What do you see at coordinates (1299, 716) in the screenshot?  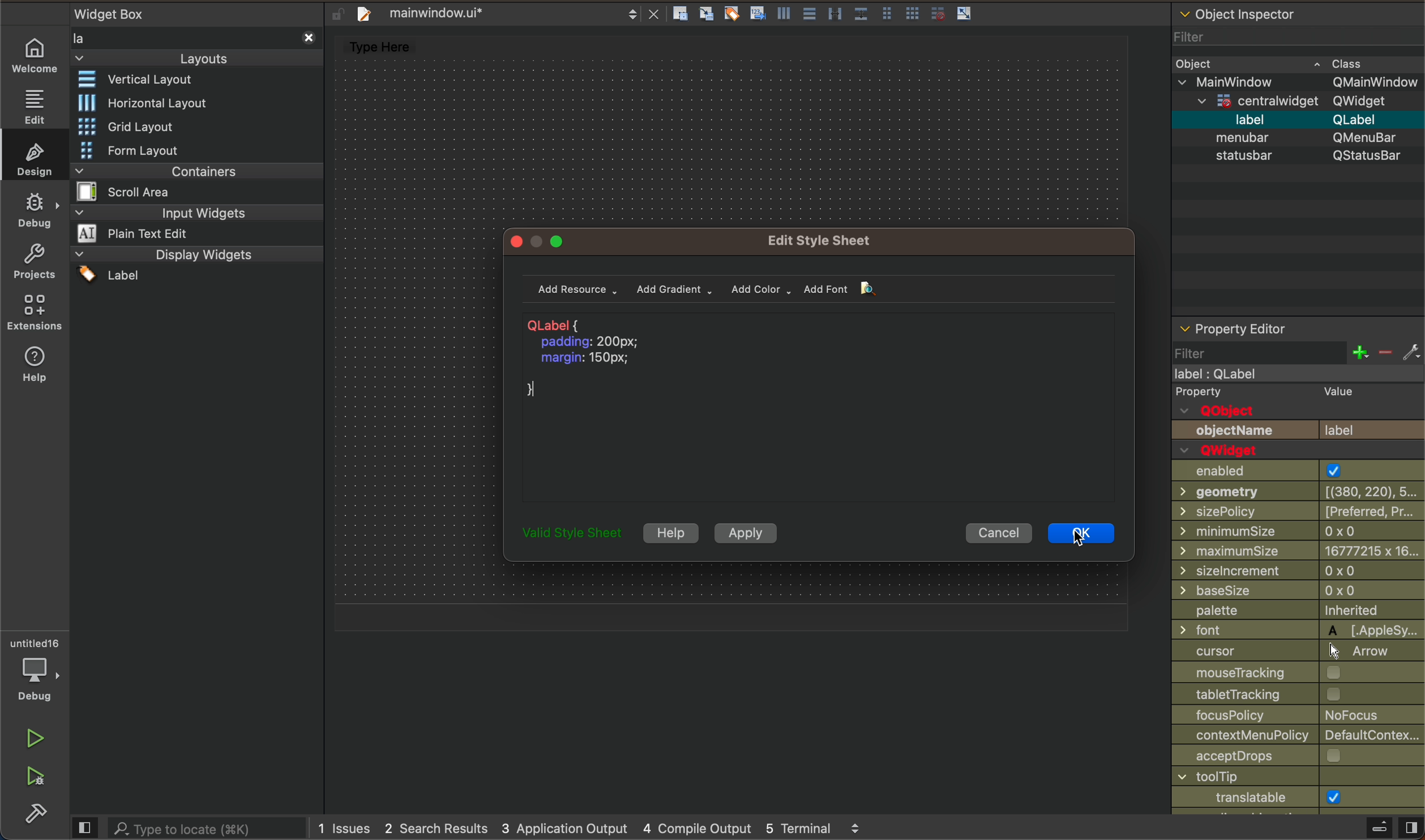 I see `focus policy` at bounding box center [1299, 716].